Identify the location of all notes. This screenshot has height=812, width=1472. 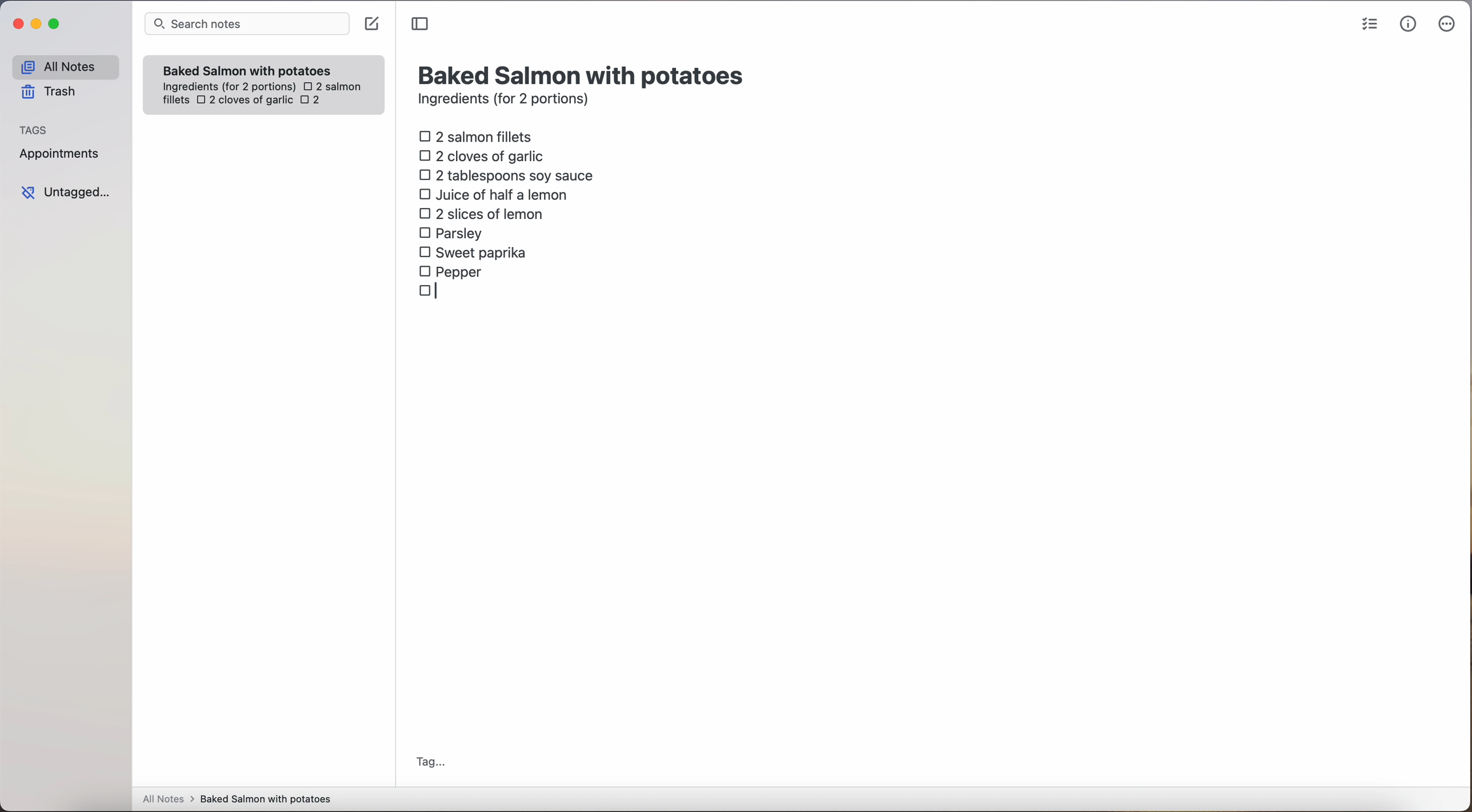
(65, 66).